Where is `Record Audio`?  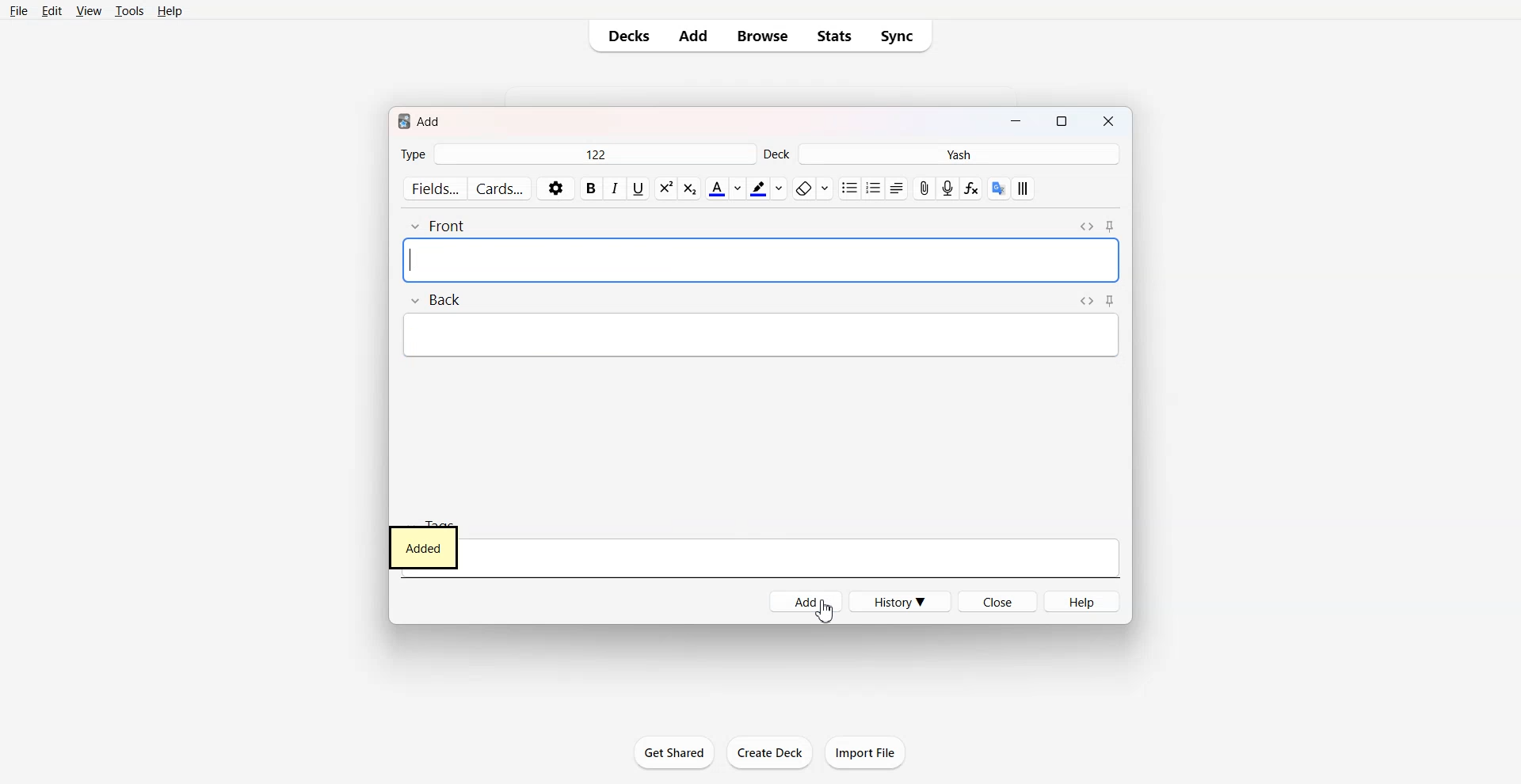 Record Audio is located at coordinates (947, 188).